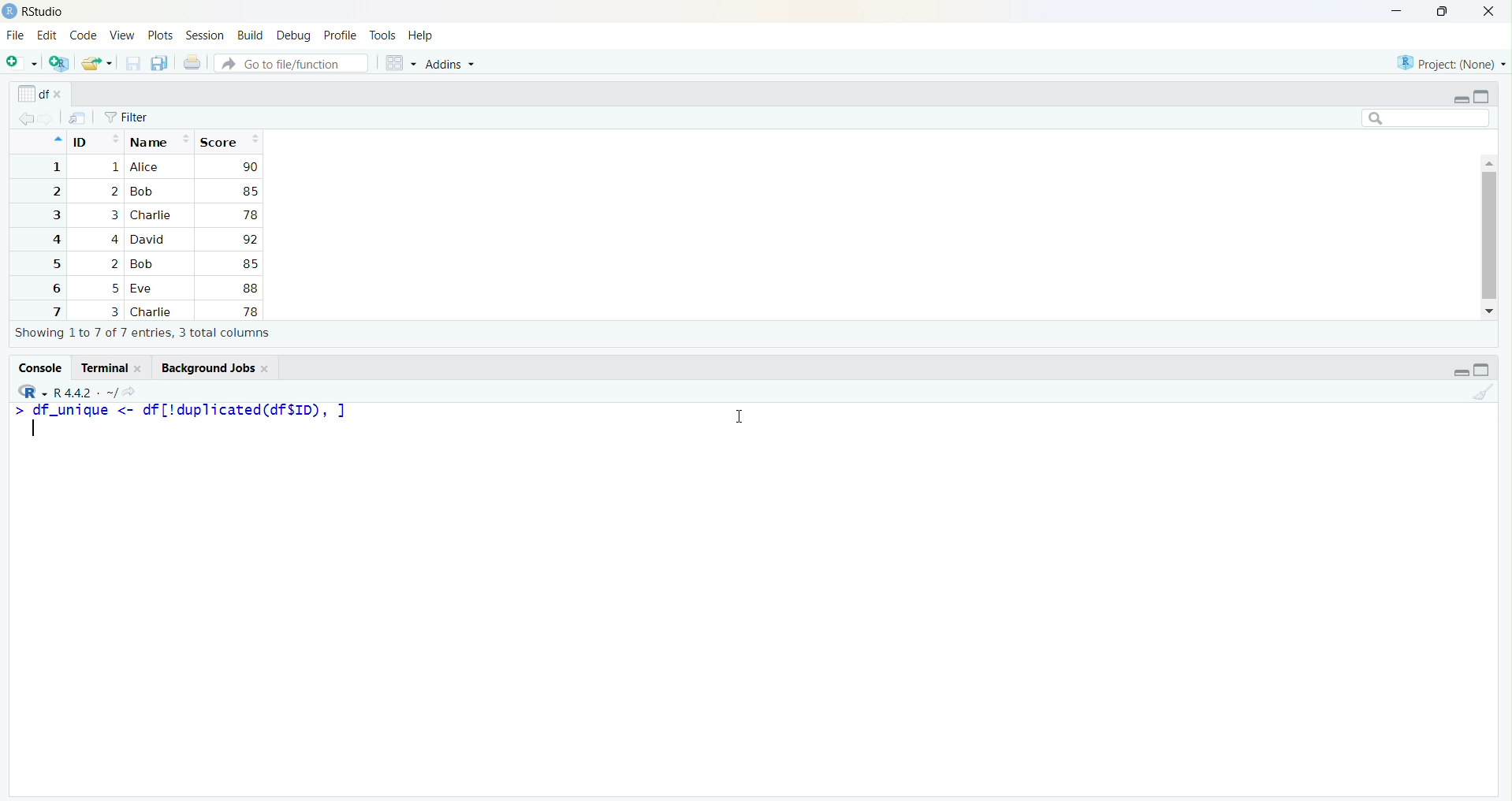 This screenshot has height=801, width=1512. I want to click on forward, so click(49, 119).